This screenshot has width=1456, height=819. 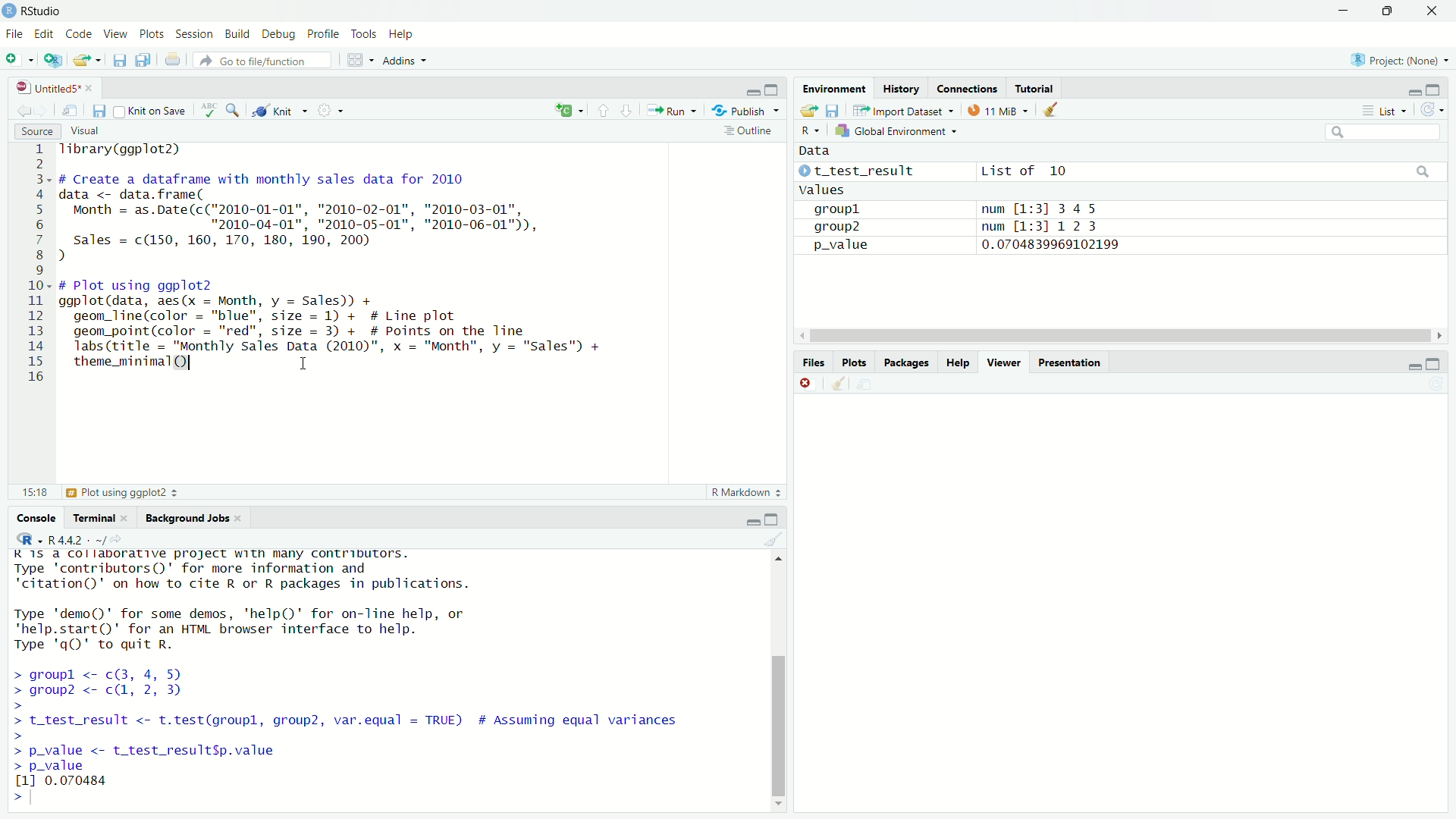 What do you see at coordinates (1391, 12) in the screenshot?
I see `down` at bounding box center [1391, 12].